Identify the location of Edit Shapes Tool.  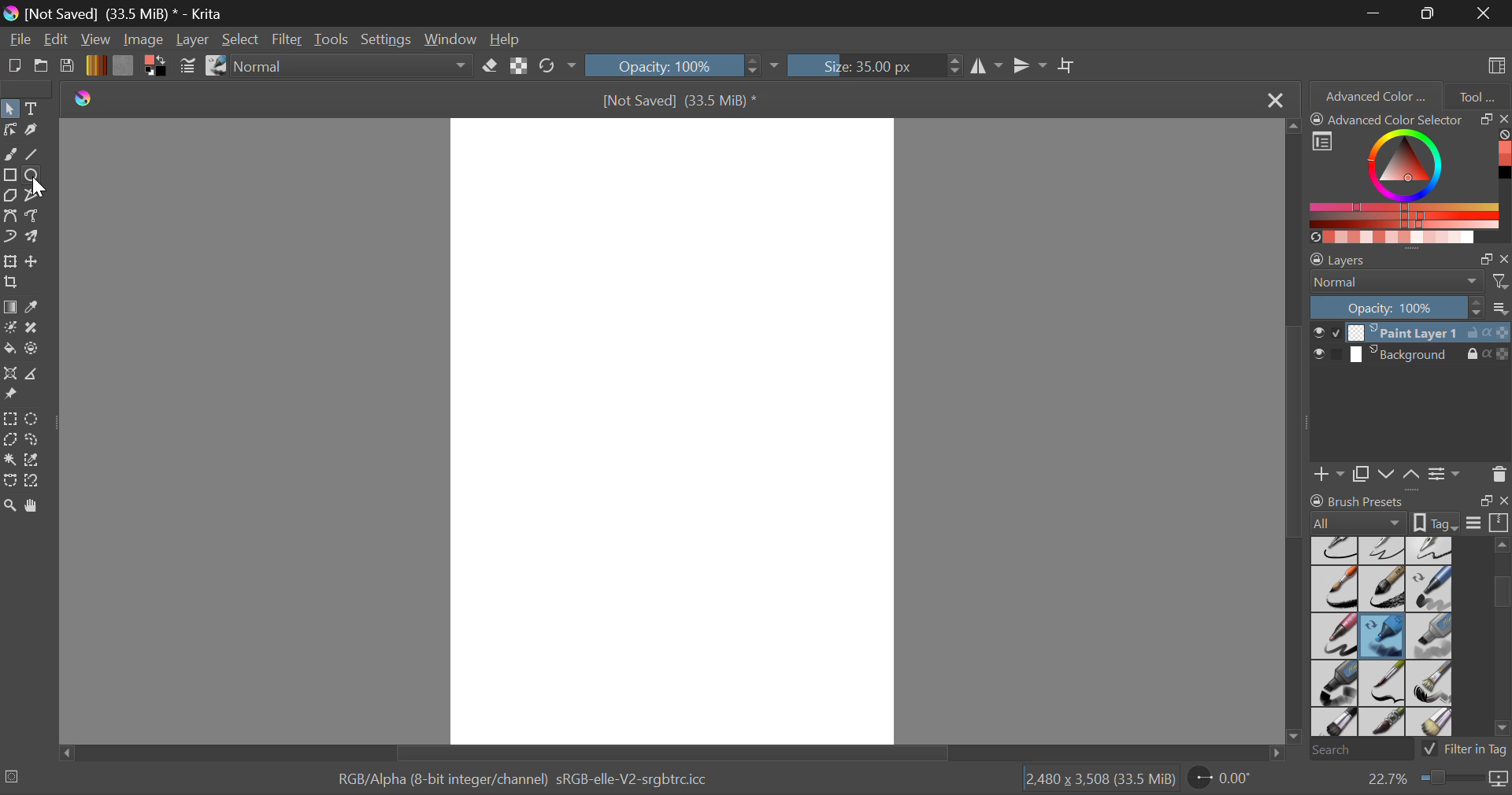
(9, 130).